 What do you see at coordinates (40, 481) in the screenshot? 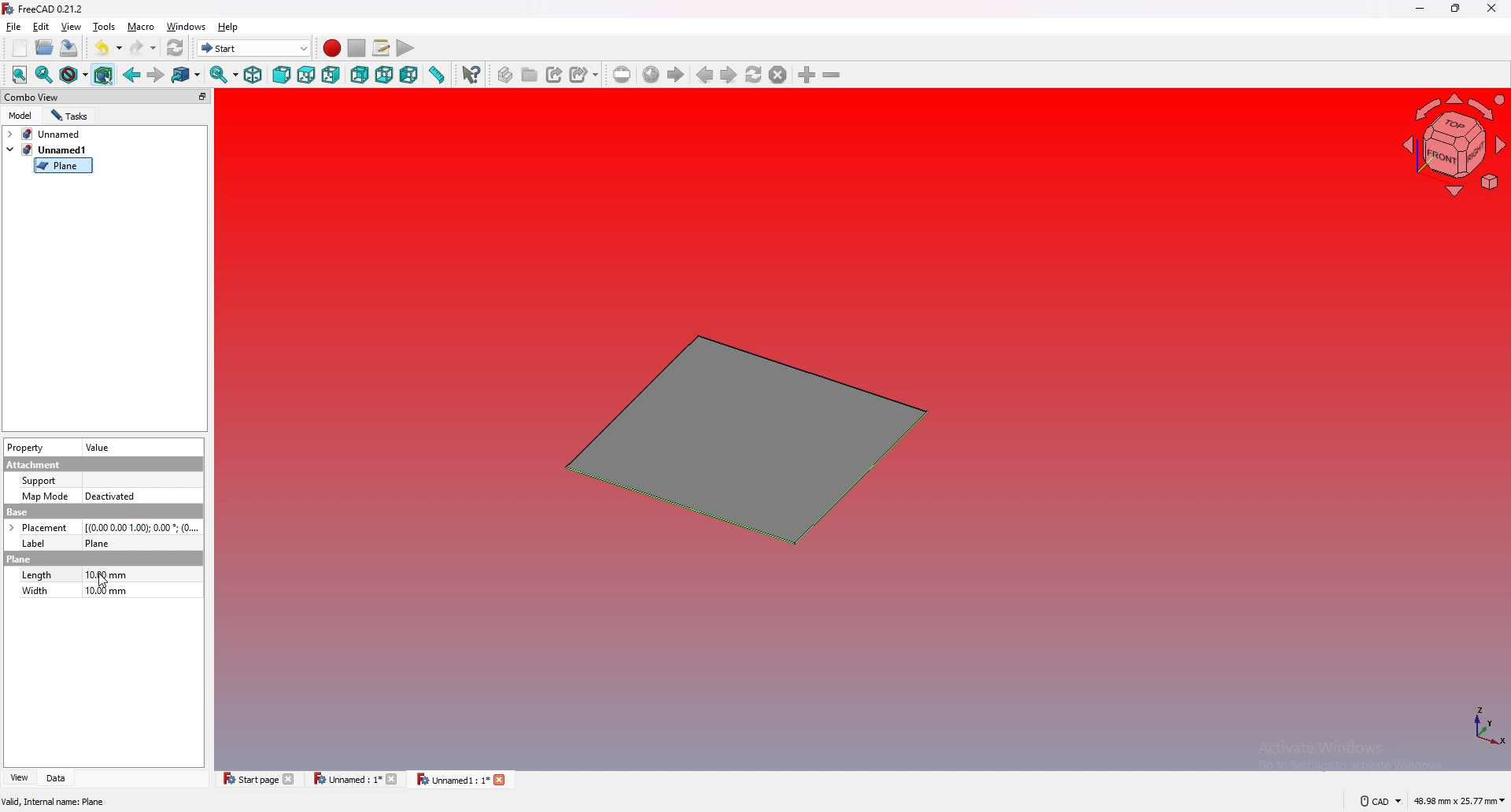
I see `Support` at bounding box center [40, 481].